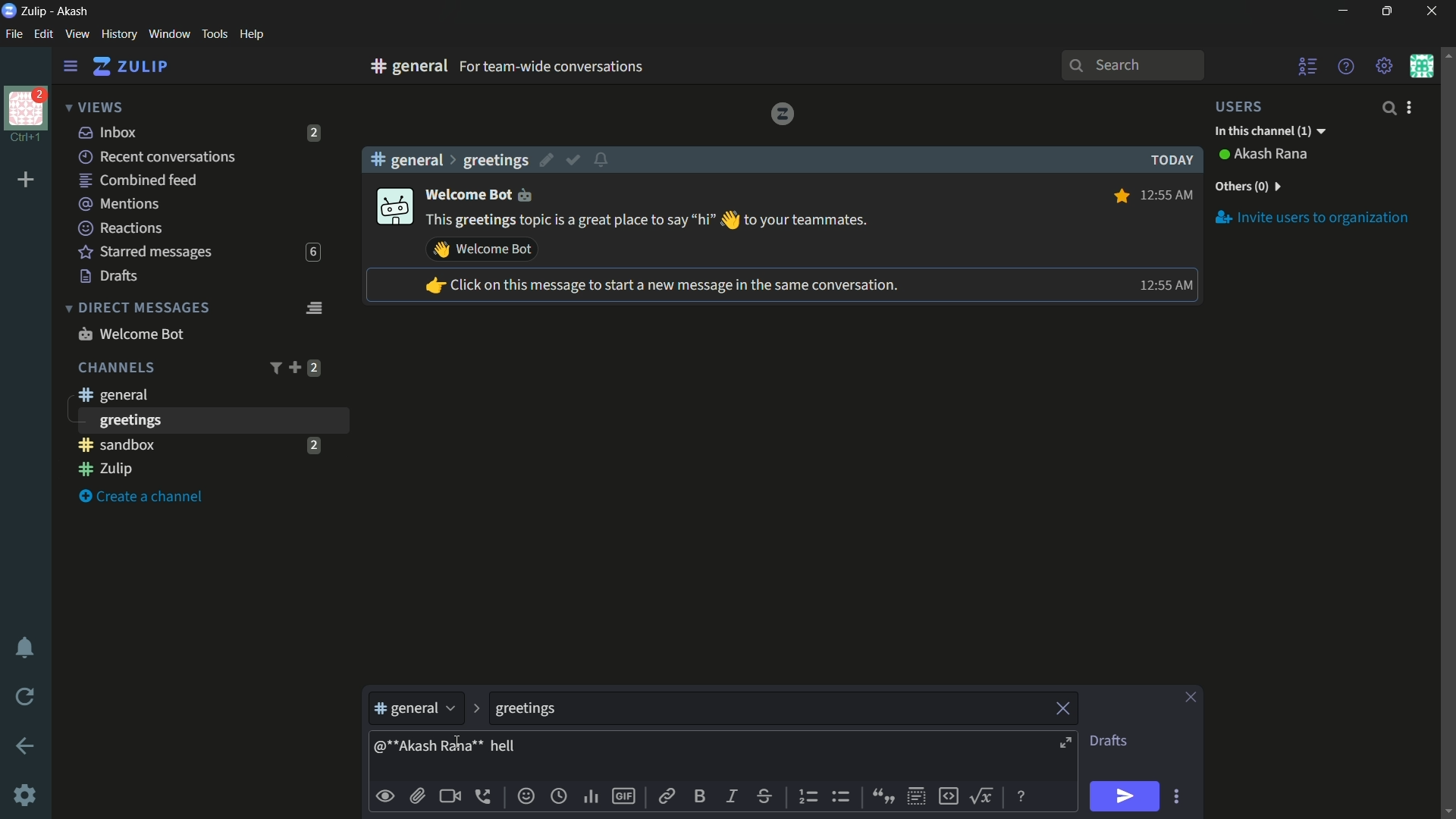 The image size is (1456, 819). What do you see at coordinates (881, 795) in the screenshot?
I see `quote` at bounding box center [881, 795].